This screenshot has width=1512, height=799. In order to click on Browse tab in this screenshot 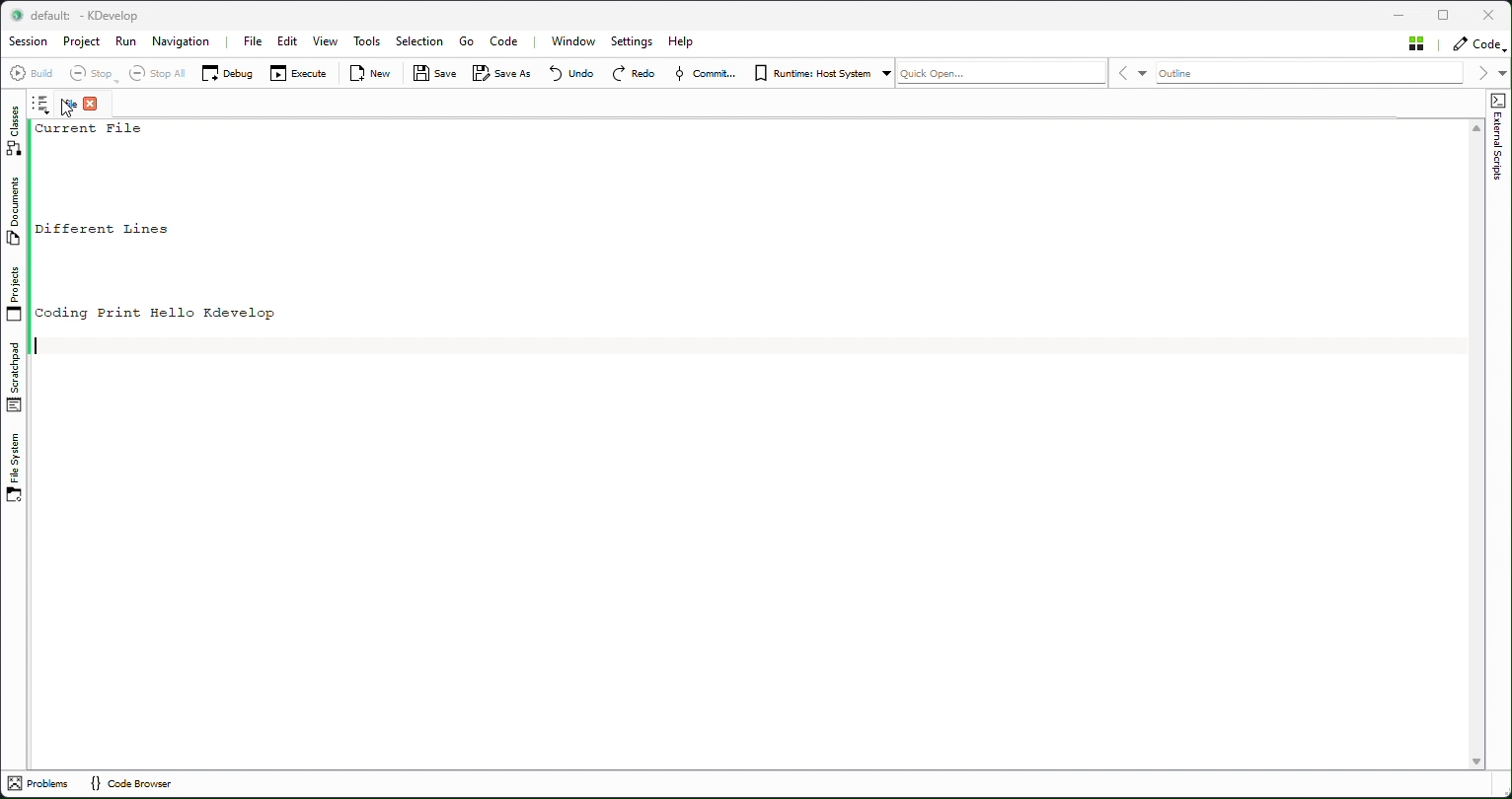, I will do `click(40, 104)`.